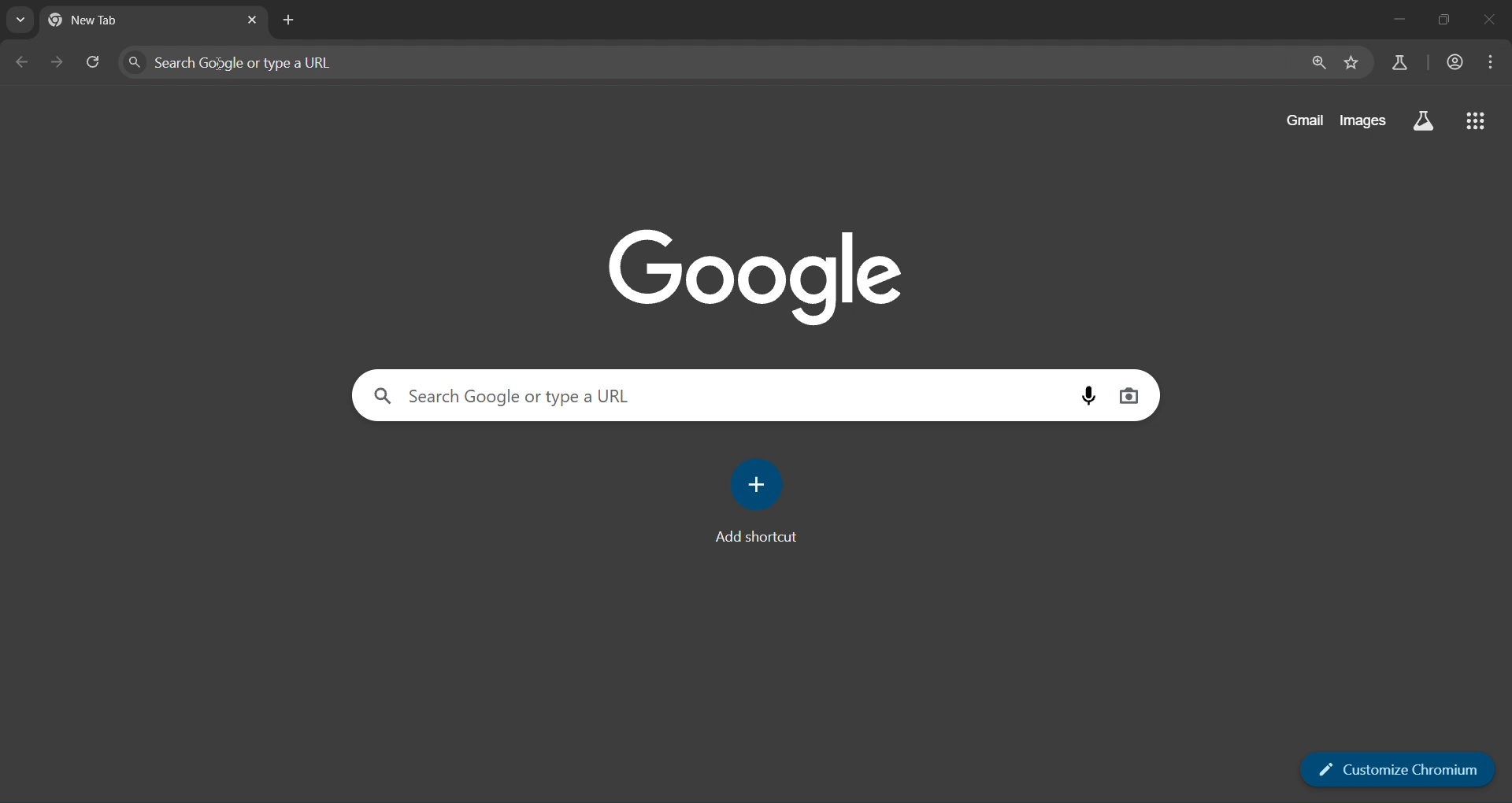 The height and width of the screenshot is (803, 1512). I want to click on add shortcut, so click(763, 501).